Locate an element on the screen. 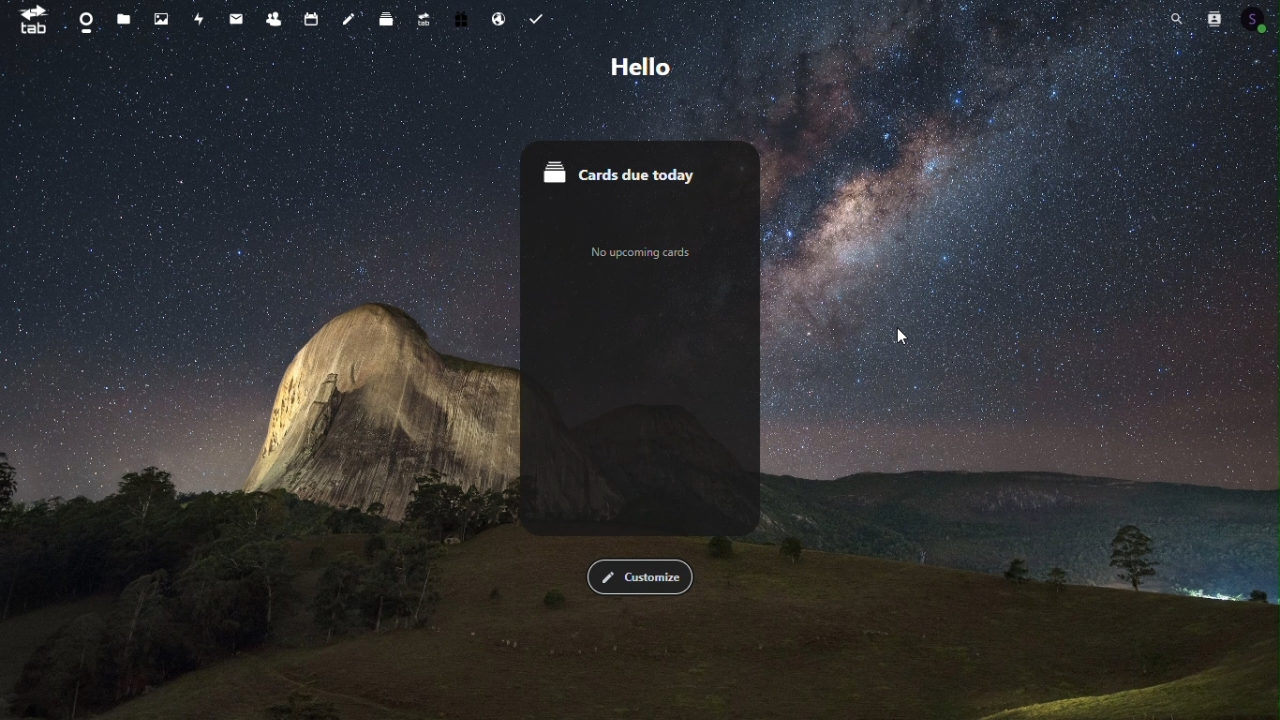 The width and height of the screenshot is (1280, 720). Free trial is located at coordinates (461, 17).